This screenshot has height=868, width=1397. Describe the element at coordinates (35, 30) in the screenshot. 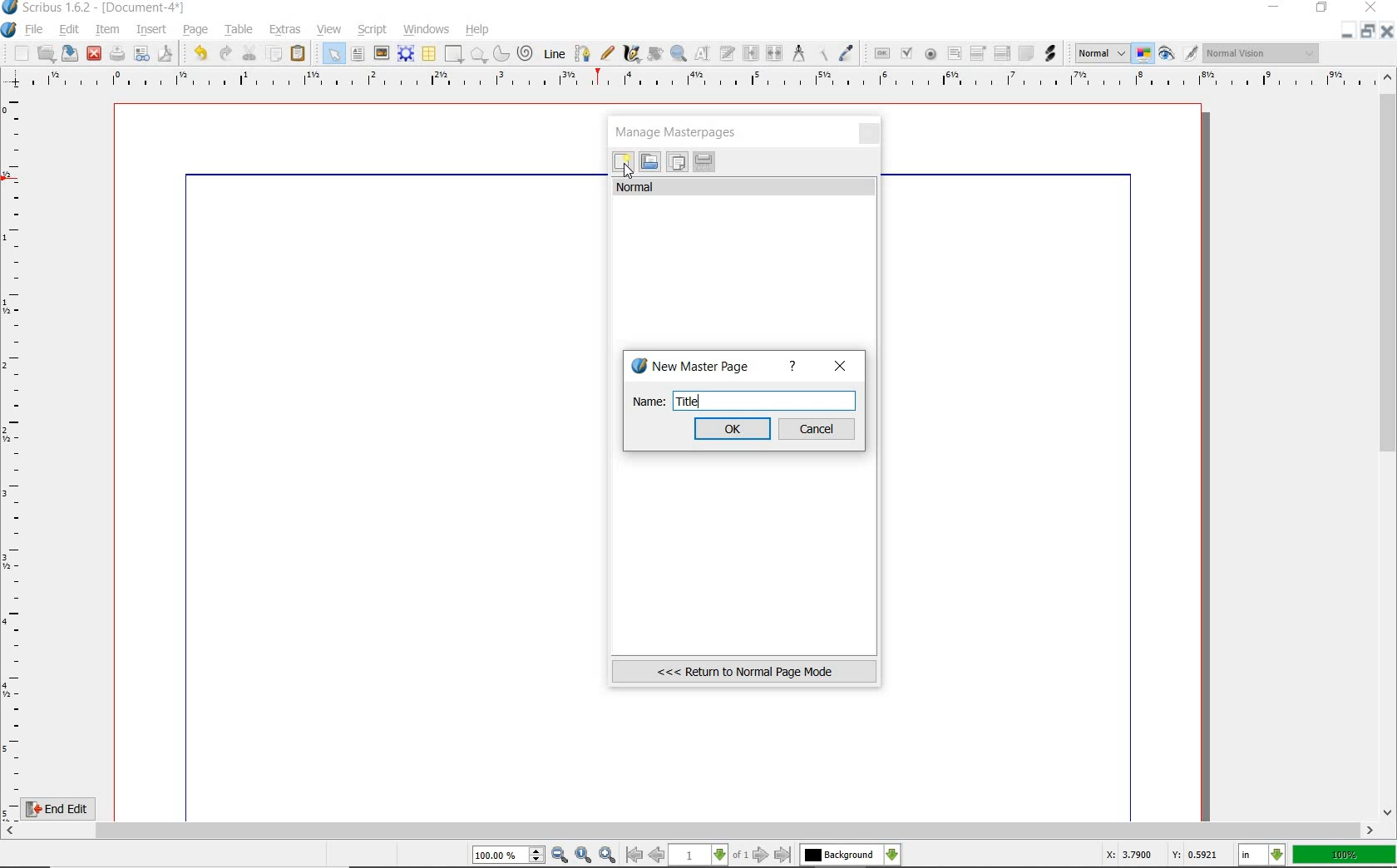

I see `file` at that location.